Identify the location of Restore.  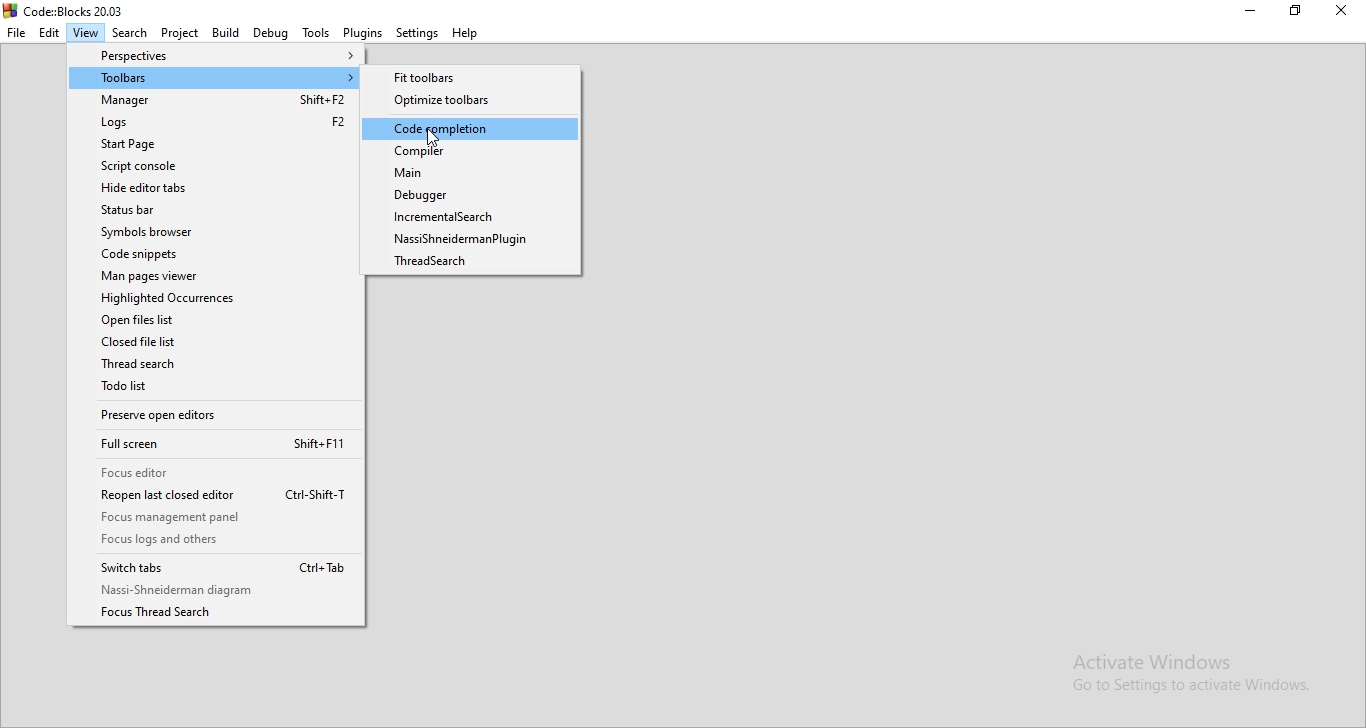
(1298, 13).